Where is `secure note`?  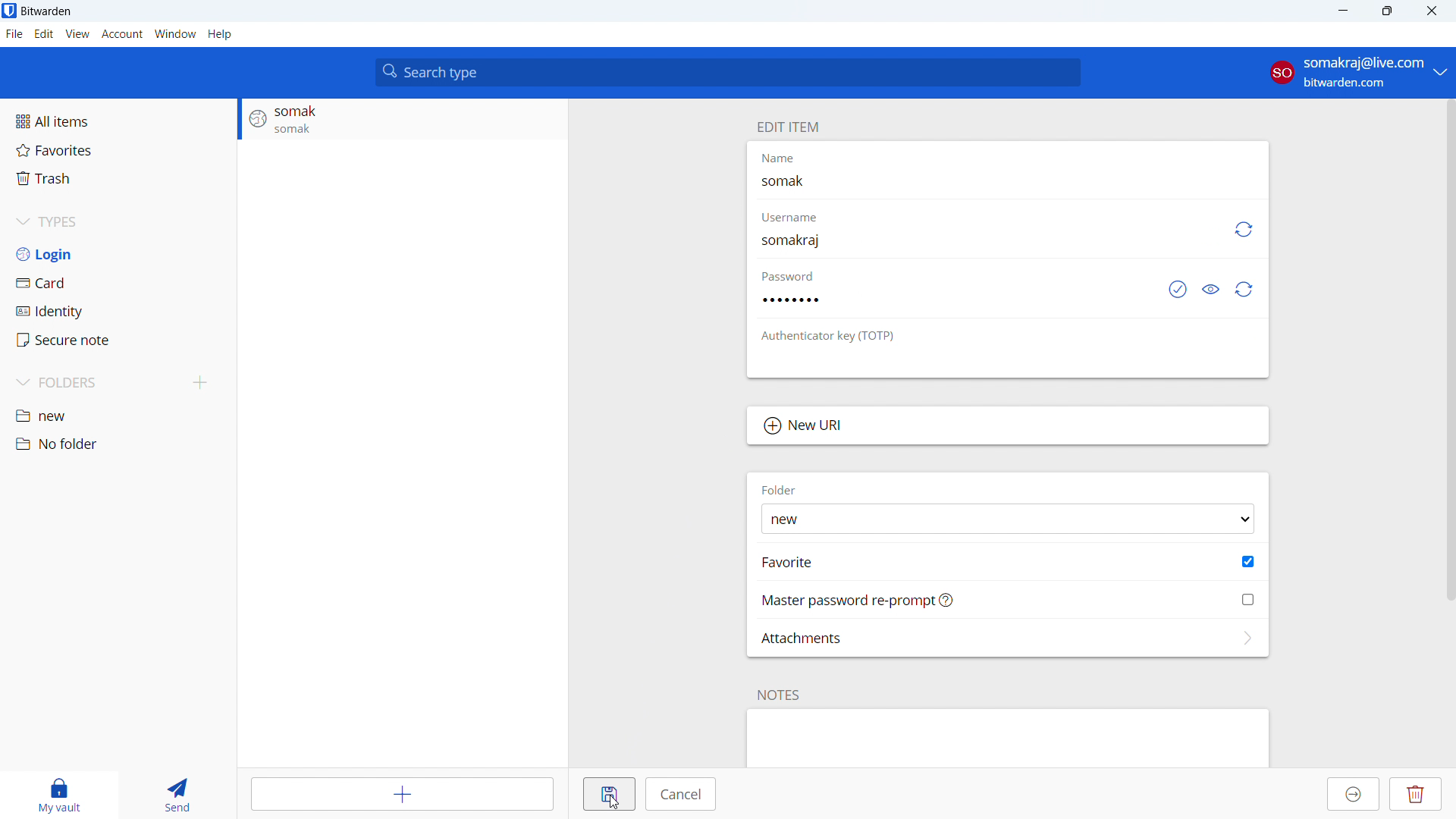
secure note is located at coordinates (119, 340).